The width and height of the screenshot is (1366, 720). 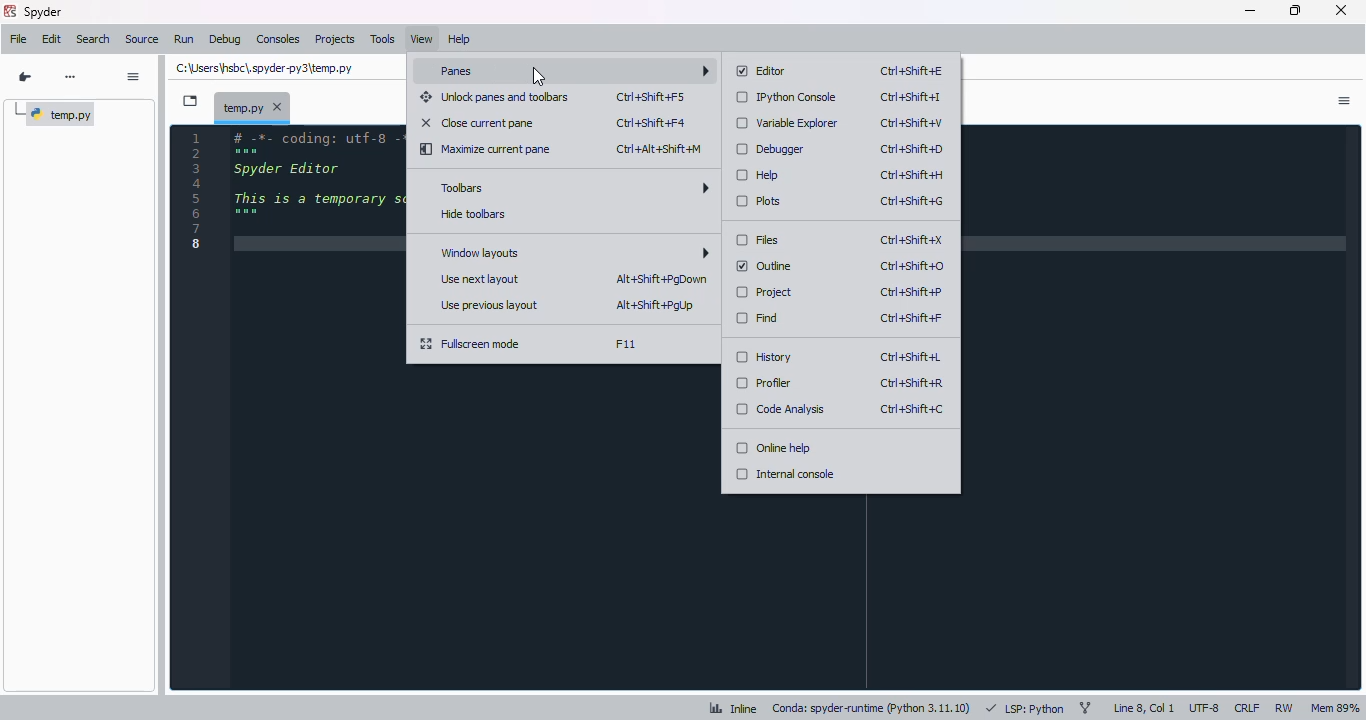 What do you see at coordinates (572, 253) in the screenshot?
I see `window layouts` at bounding box center [572, 253].